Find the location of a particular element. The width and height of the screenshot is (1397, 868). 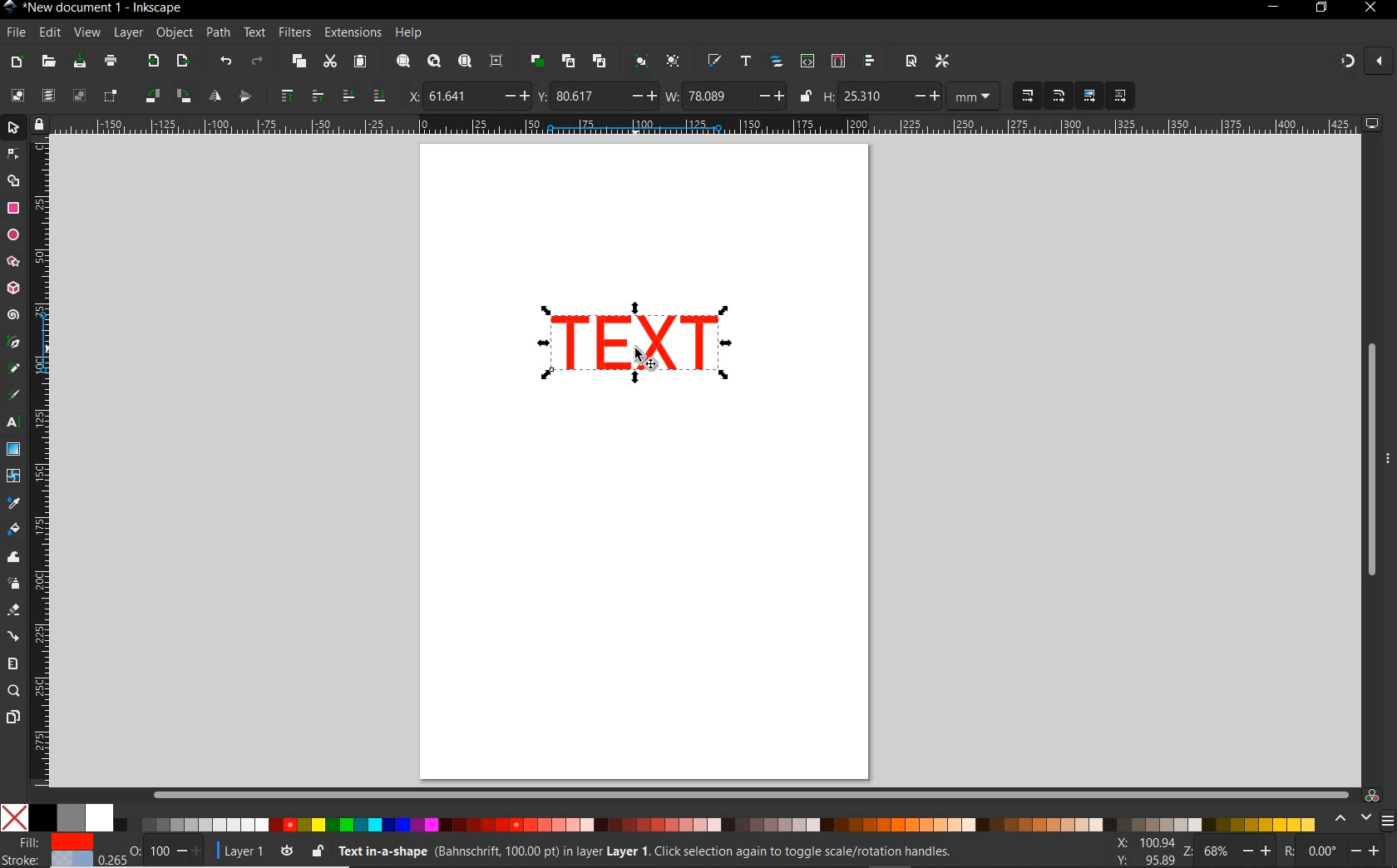

dropper is located at coordinates (14, 503).